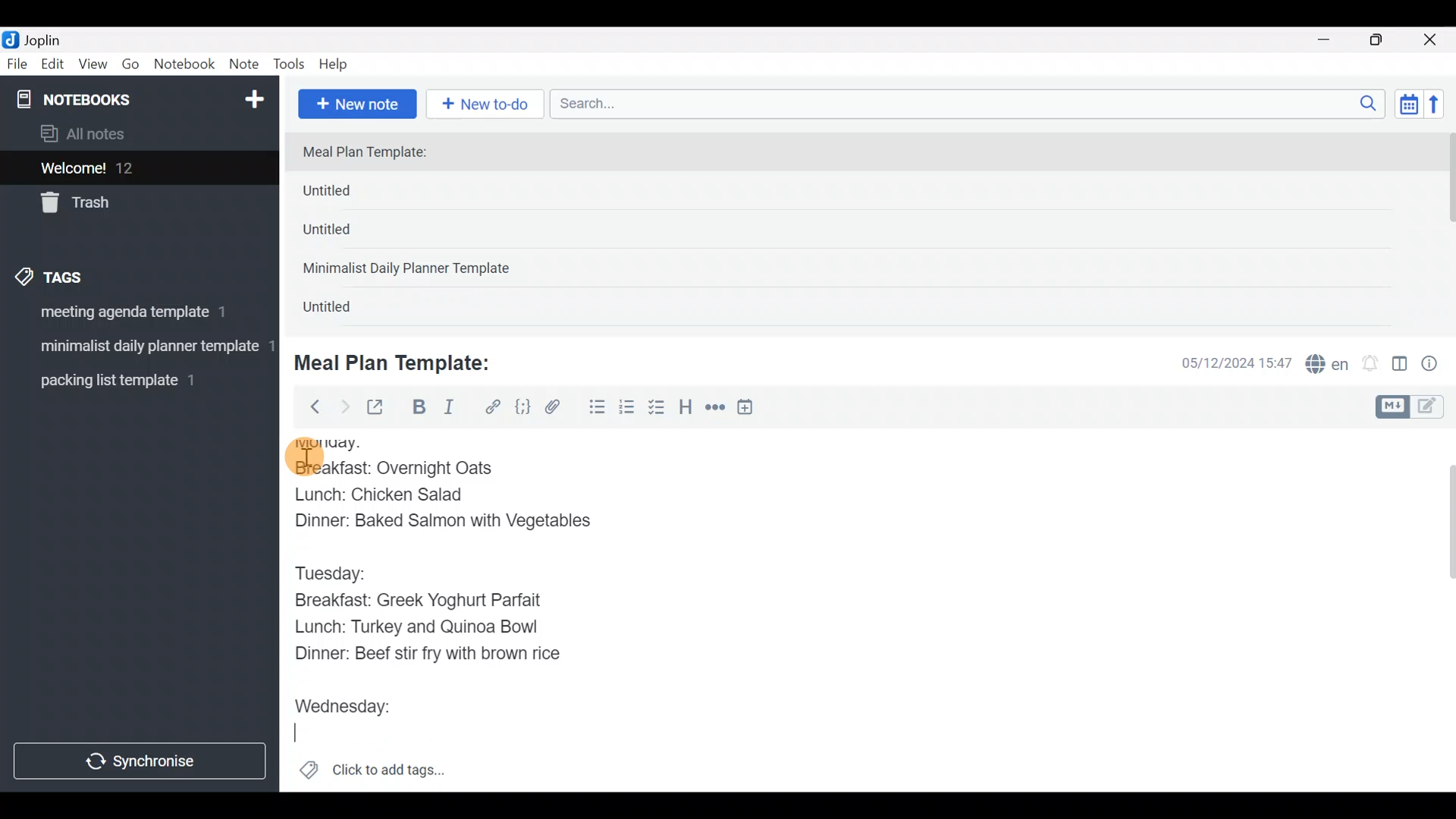 The height and width of the screenshot is (819, 1456). Describe the element at coordinates (1414, 405) in the screenshot. I see `Toggle editors` at that location.